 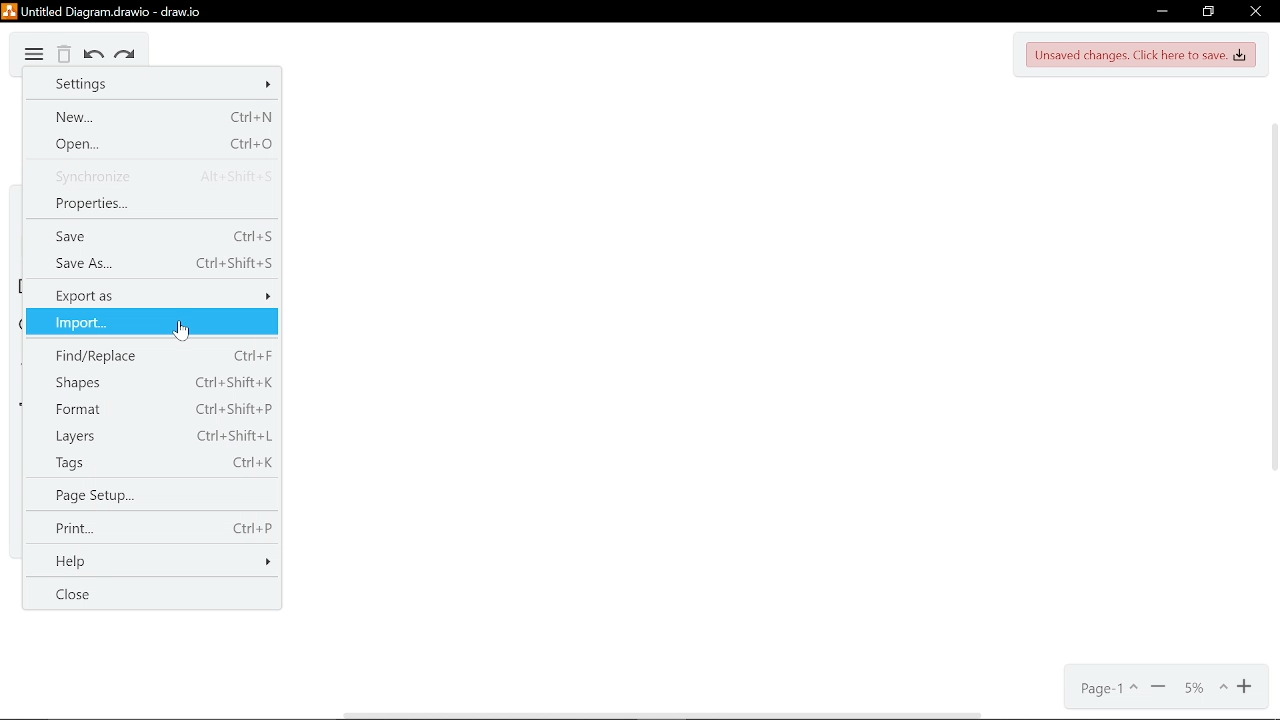 I want to click on Help, so click(x=151, y=559).